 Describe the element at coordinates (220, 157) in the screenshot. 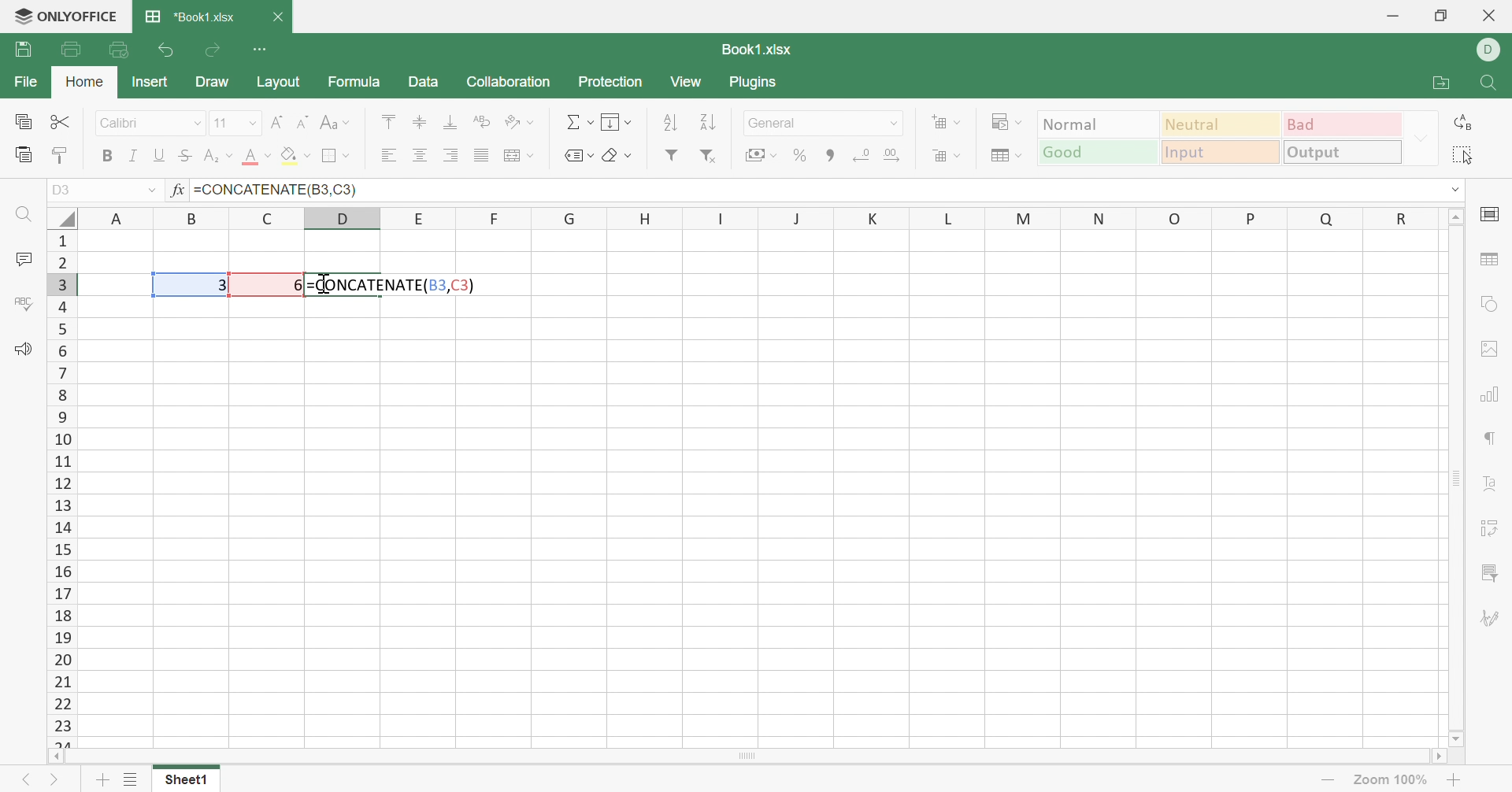

I see `Subscript` at that location.